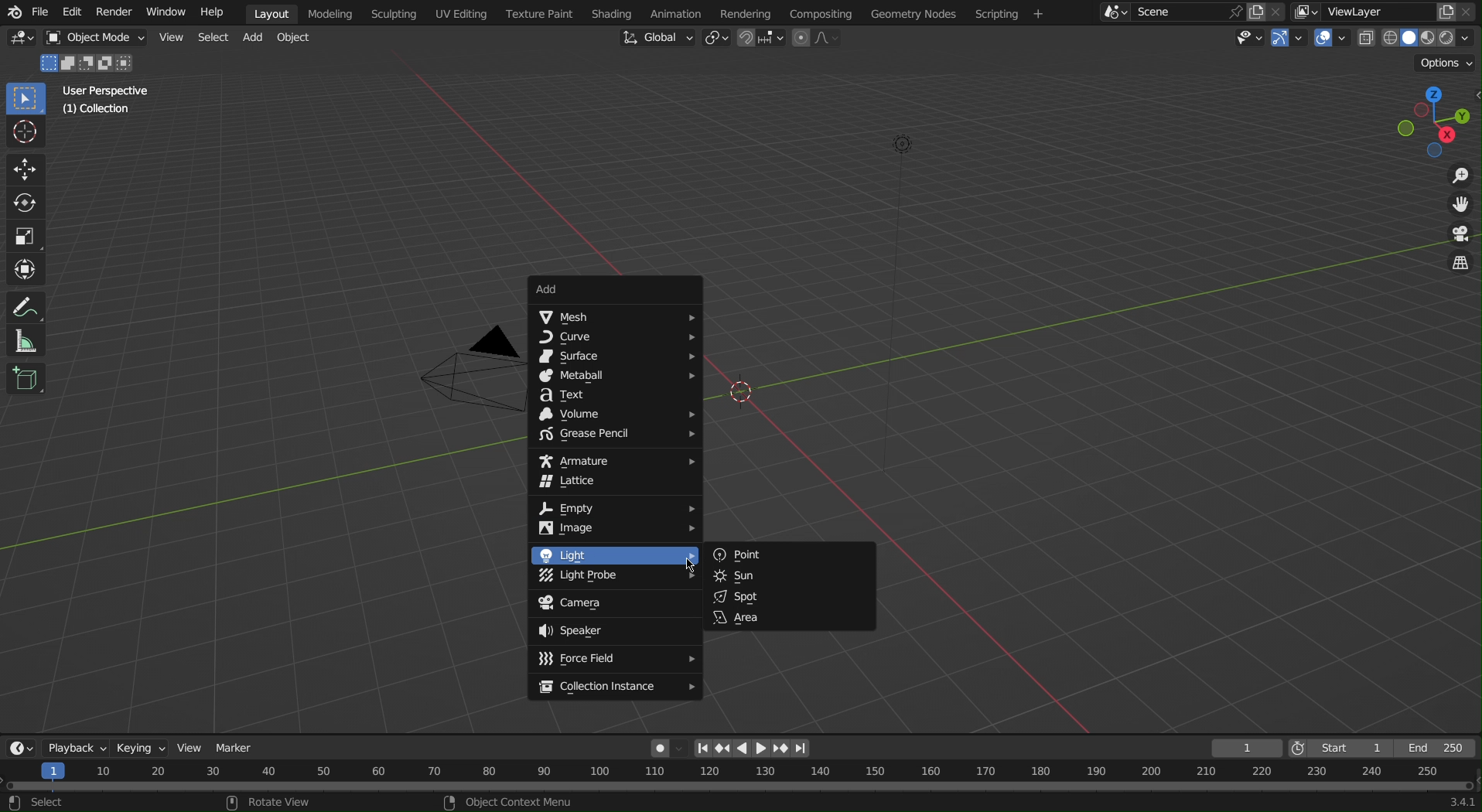 The image size is (1482, 812). Describe the element at coordinates (26, 237) in the screenshot. I see `Scale` at that location.